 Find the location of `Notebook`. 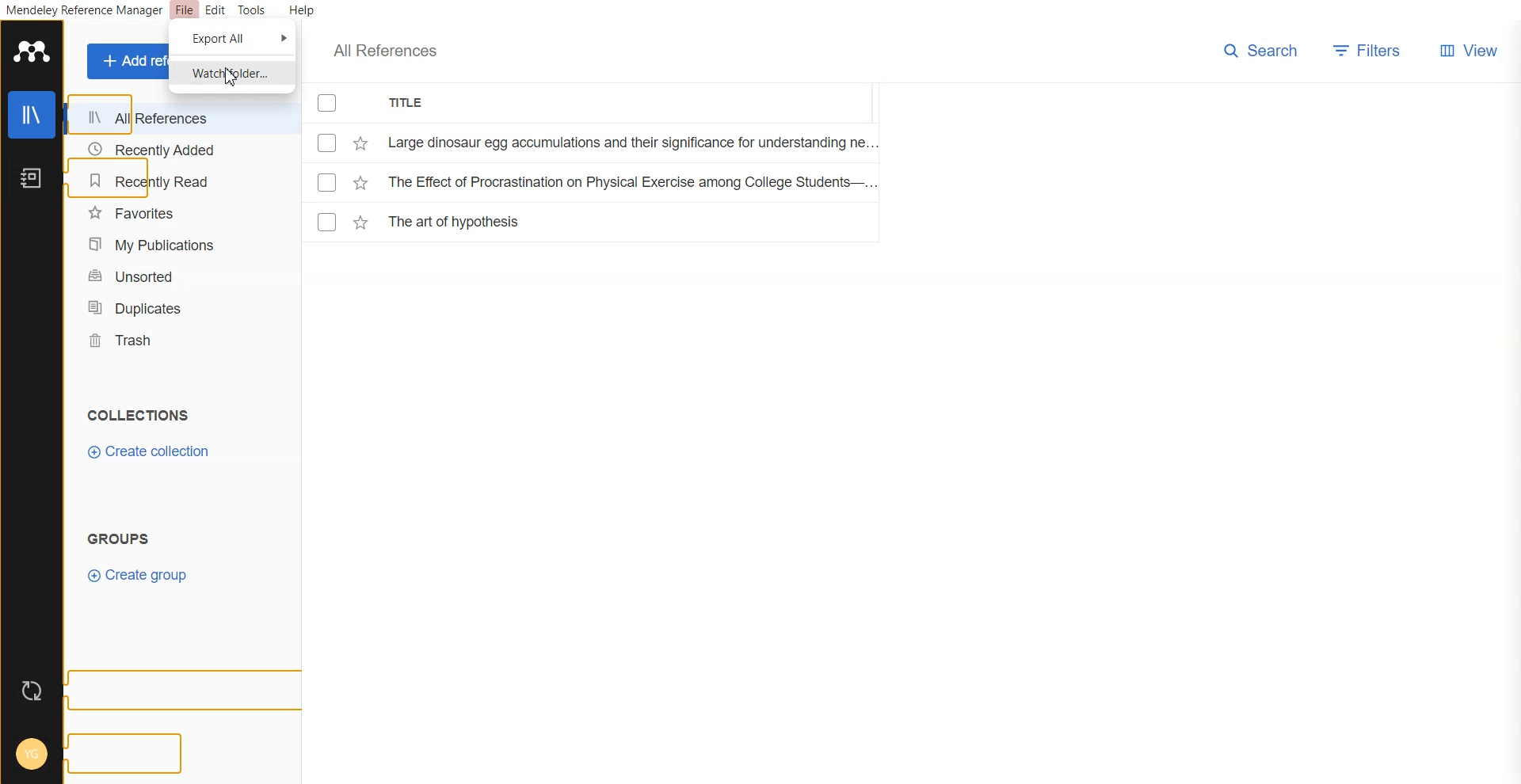

Notebook is located at coordinates (31, 177).